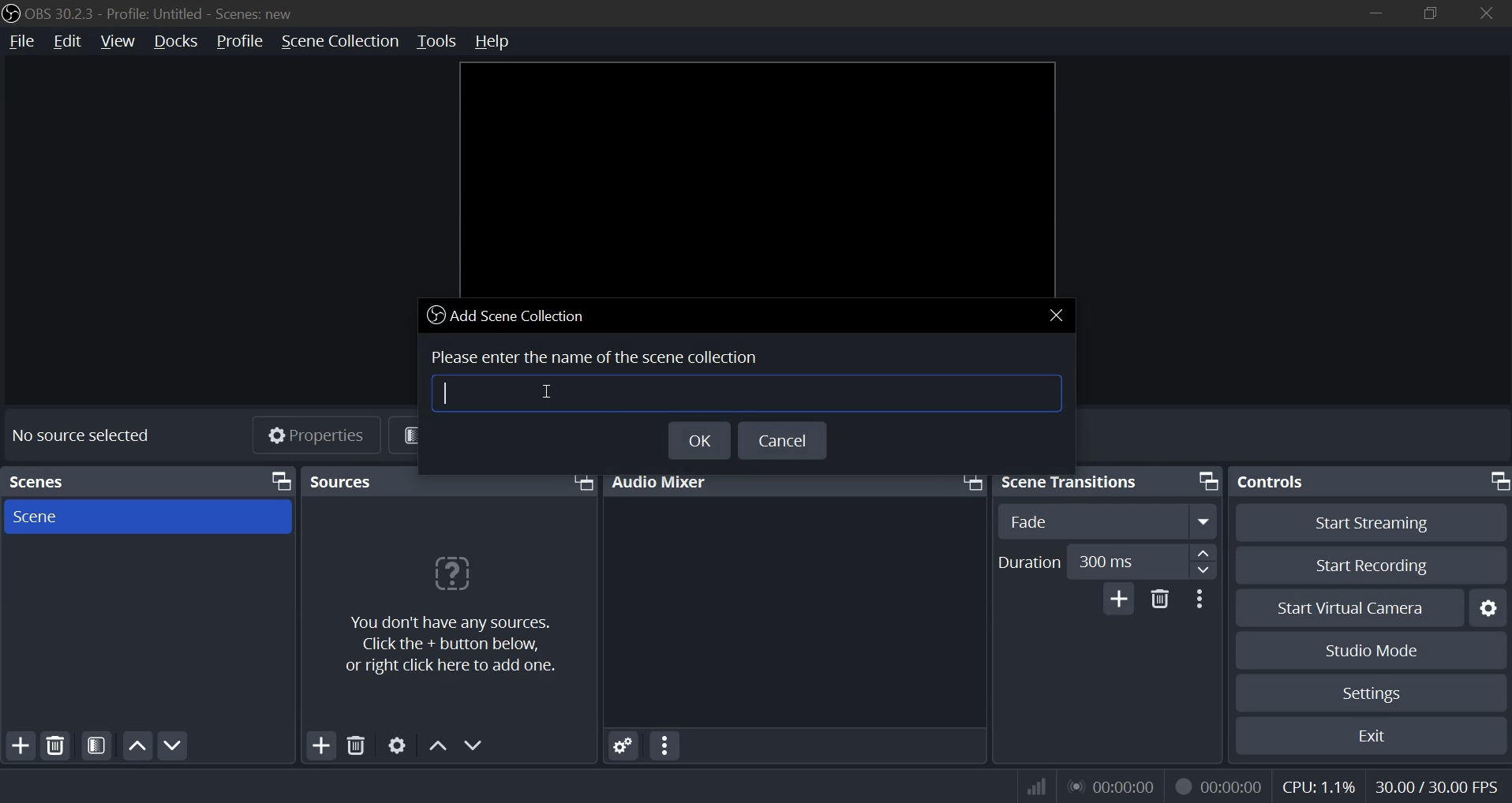 The image size is (1512, 803). Describe the element at coordinates (755, 177) in the screenshot. I see `workspace` at that location.